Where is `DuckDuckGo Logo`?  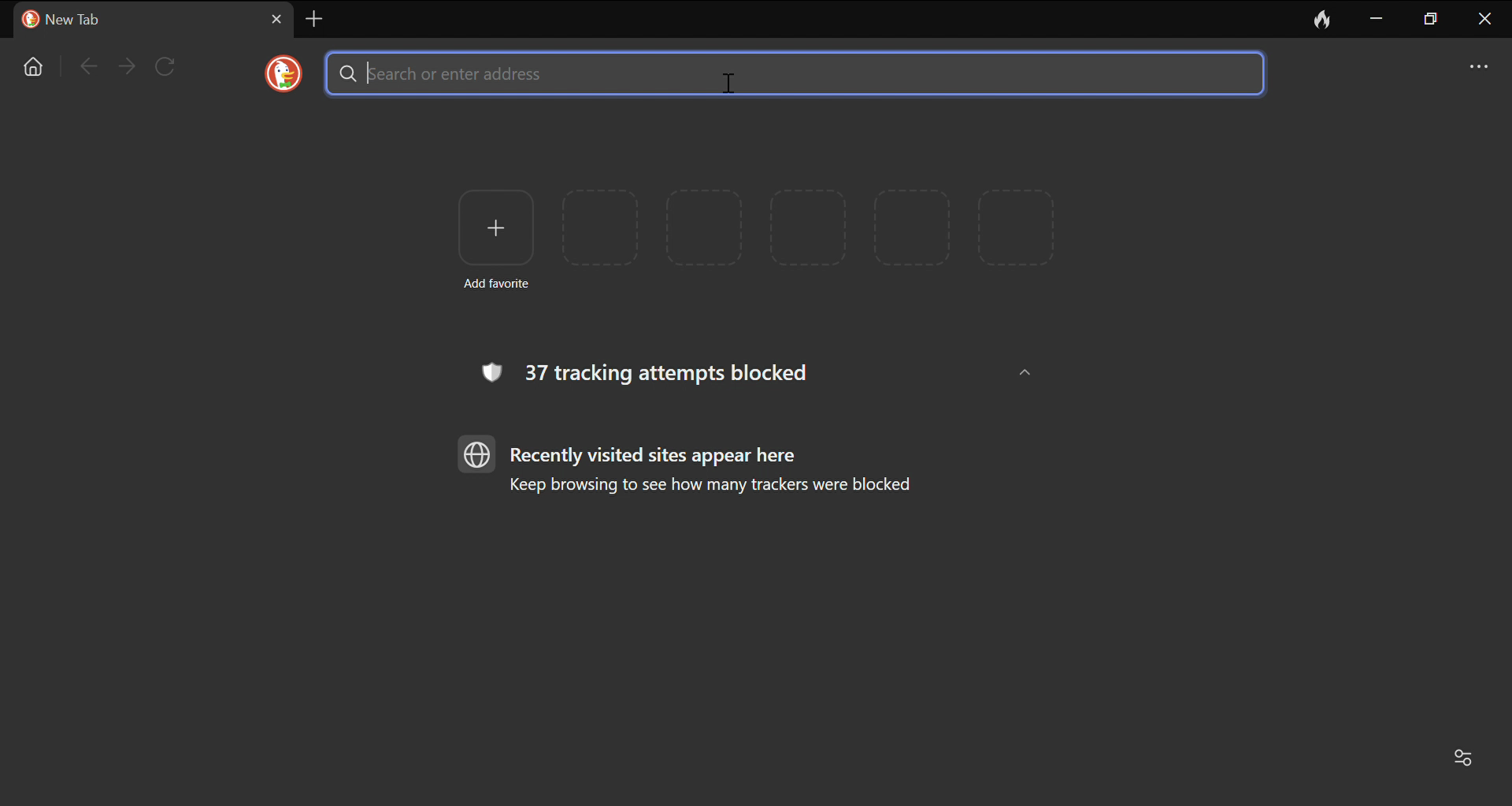
DuckDuckGo Logo is located at coordinates (284, 73).